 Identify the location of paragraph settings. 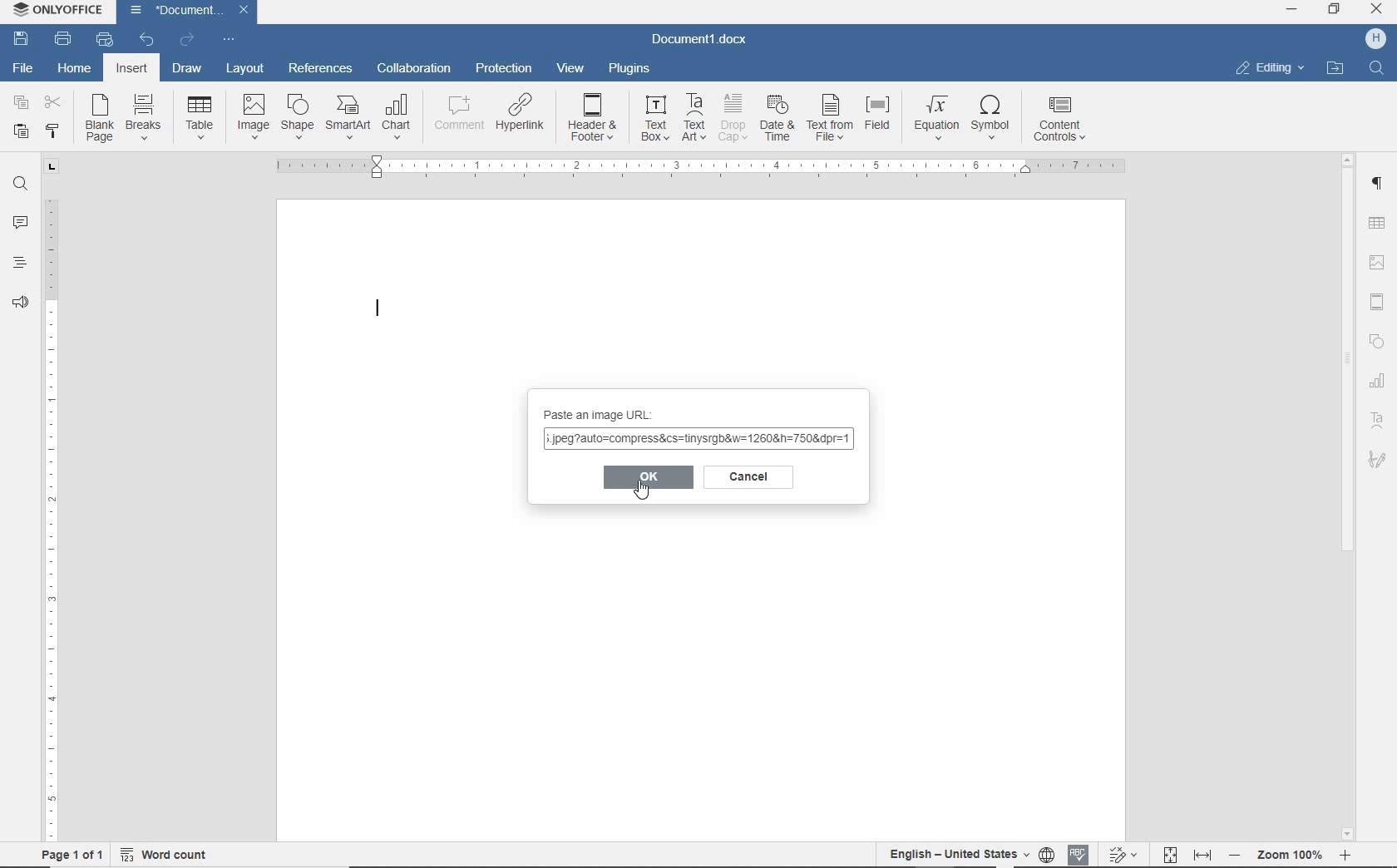
(1380, 185).